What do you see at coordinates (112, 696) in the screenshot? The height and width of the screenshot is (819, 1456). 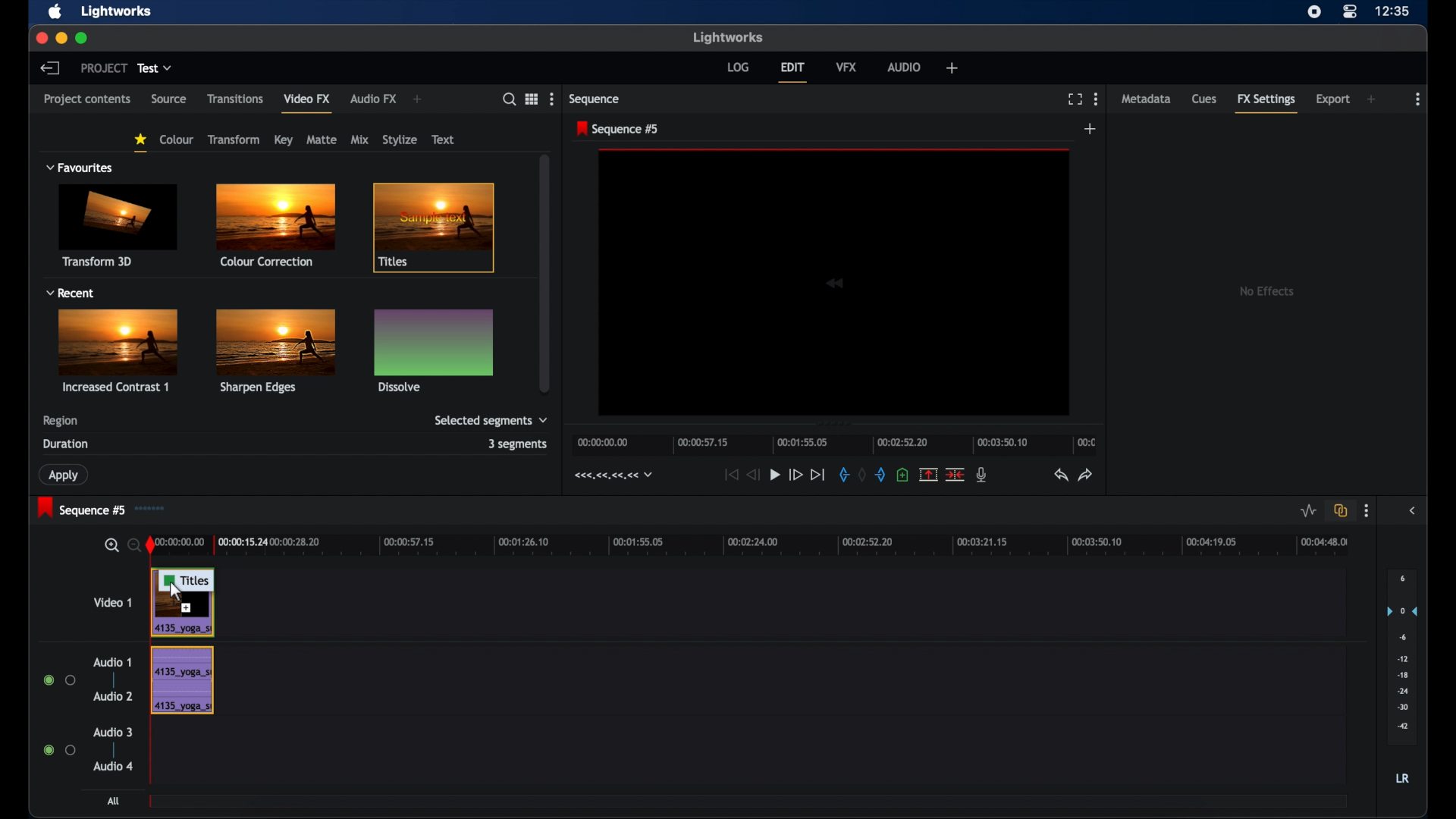 I see `audio 2` at bounding box center [112, 696].